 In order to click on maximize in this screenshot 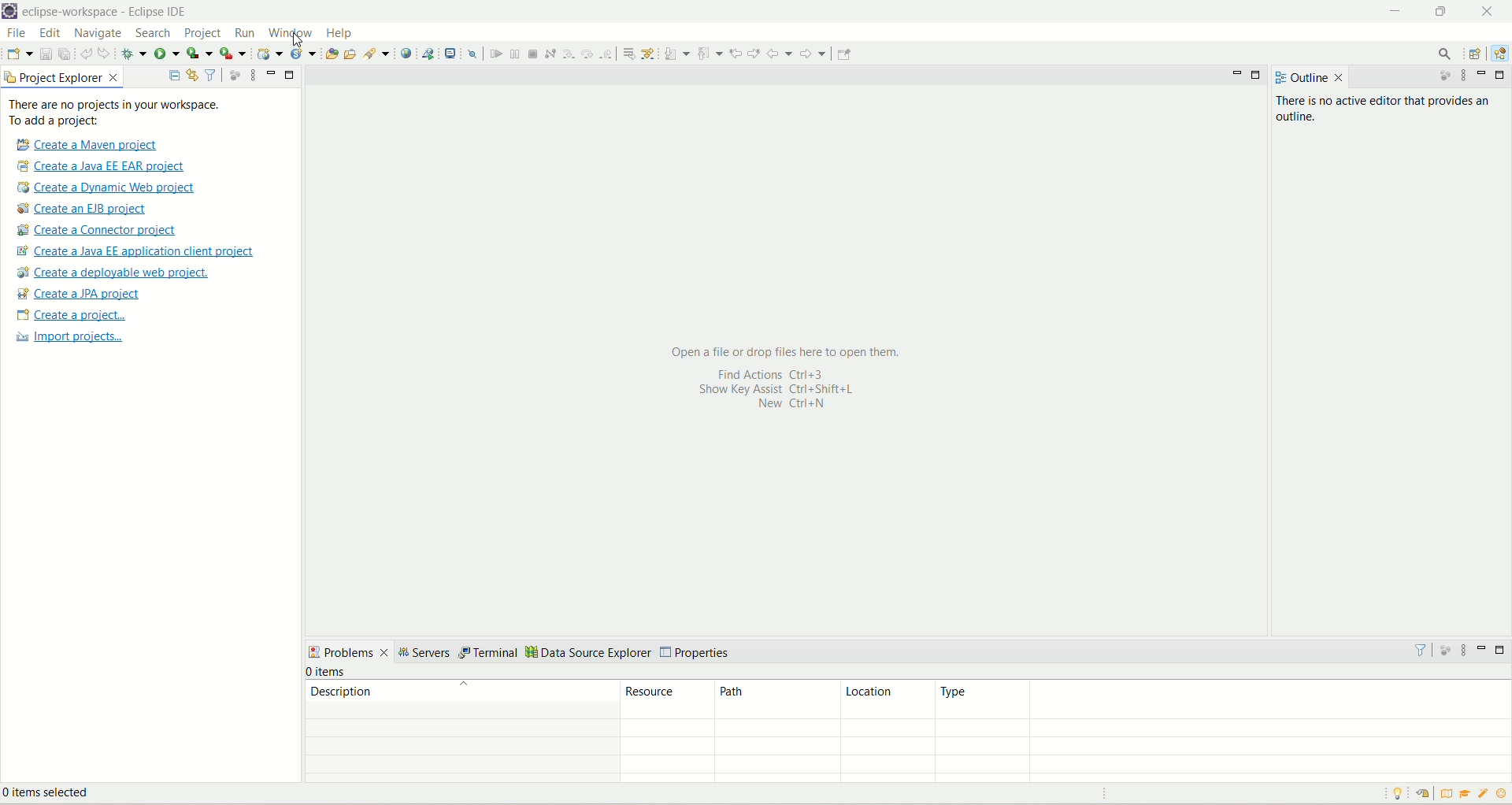, I will do `click(1501, 75)`.